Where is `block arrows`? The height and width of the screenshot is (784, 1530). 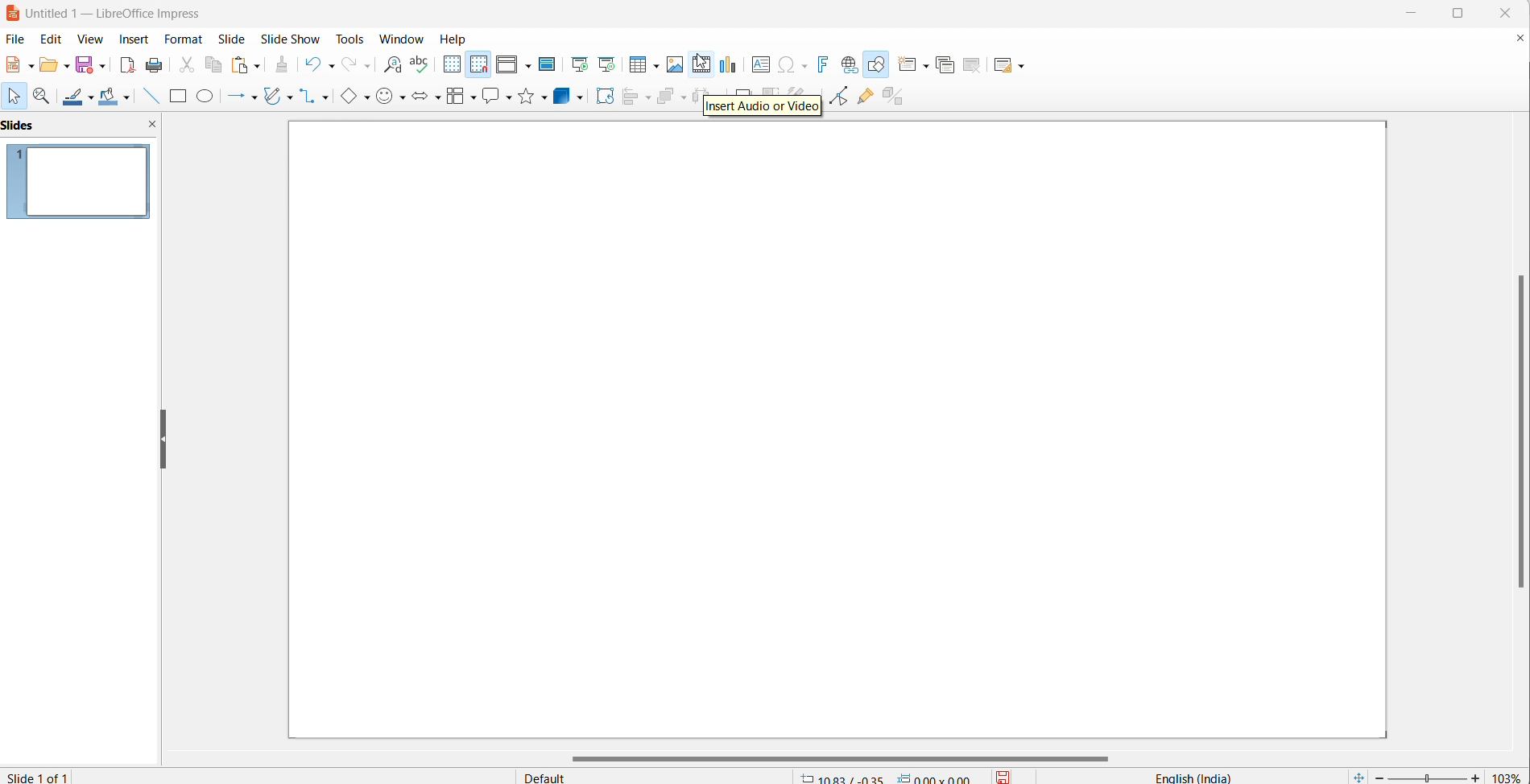 block arrows is located at coordinates (420, 98).